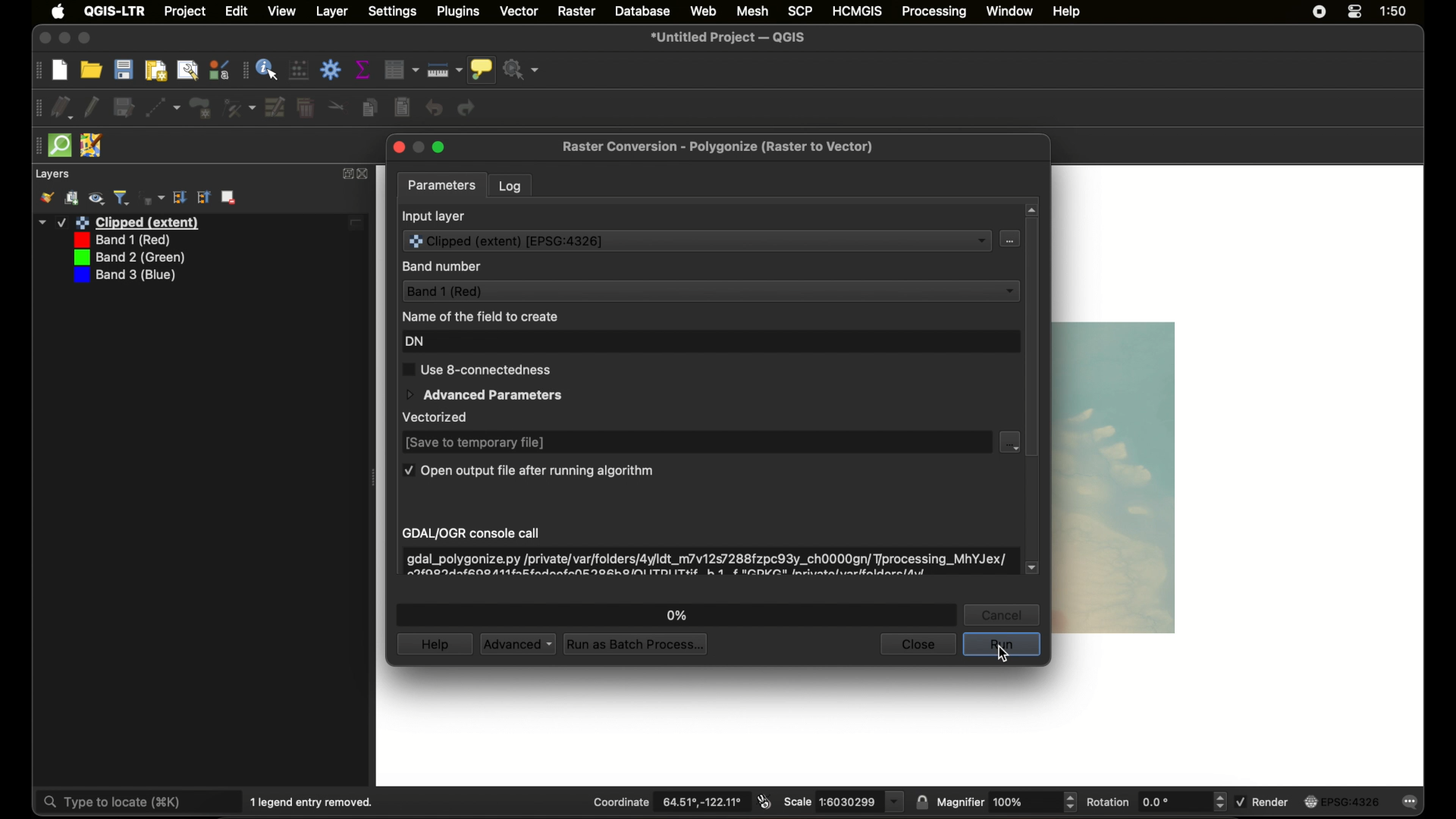  Describe the element at coordinates (935, 12) in the screenshot. I see `processing` at that location.